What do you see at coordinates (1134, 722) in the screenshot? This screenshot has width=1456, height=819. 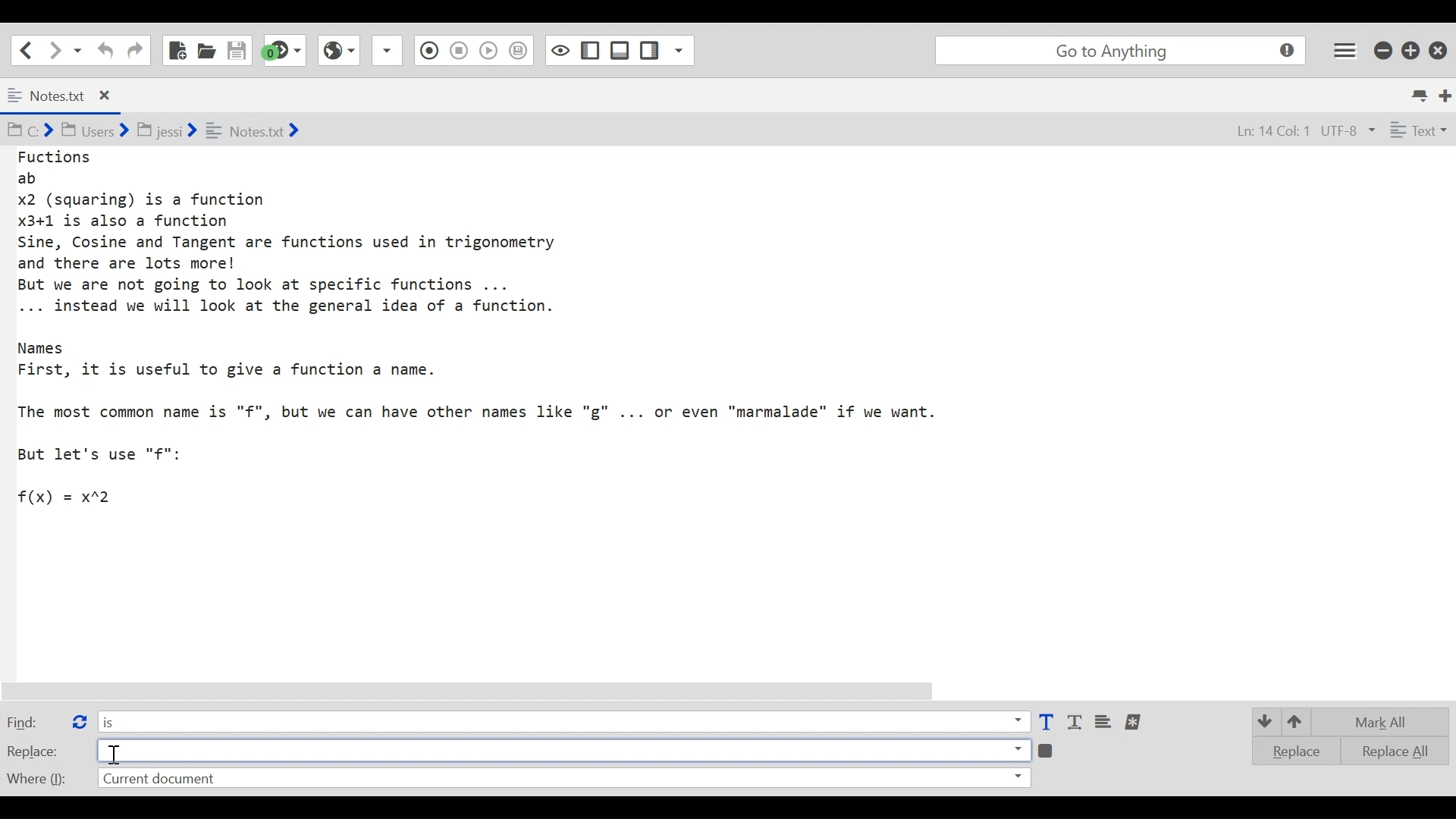 I see `more options` at bounding box center [1134, 722].